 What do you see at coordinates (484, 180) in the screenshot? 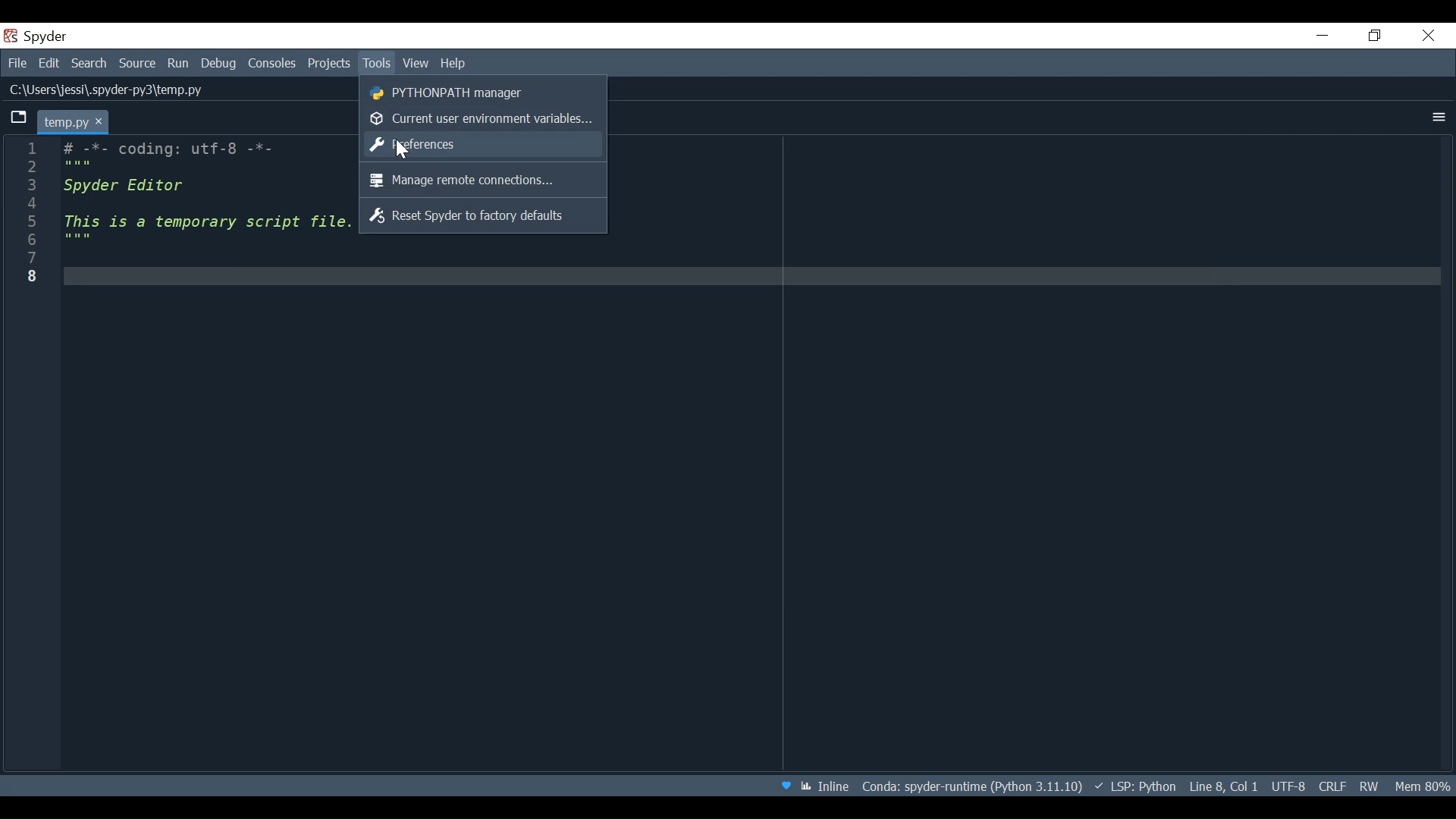
I see `Manage remote connection` at bounding box center [484, 180].